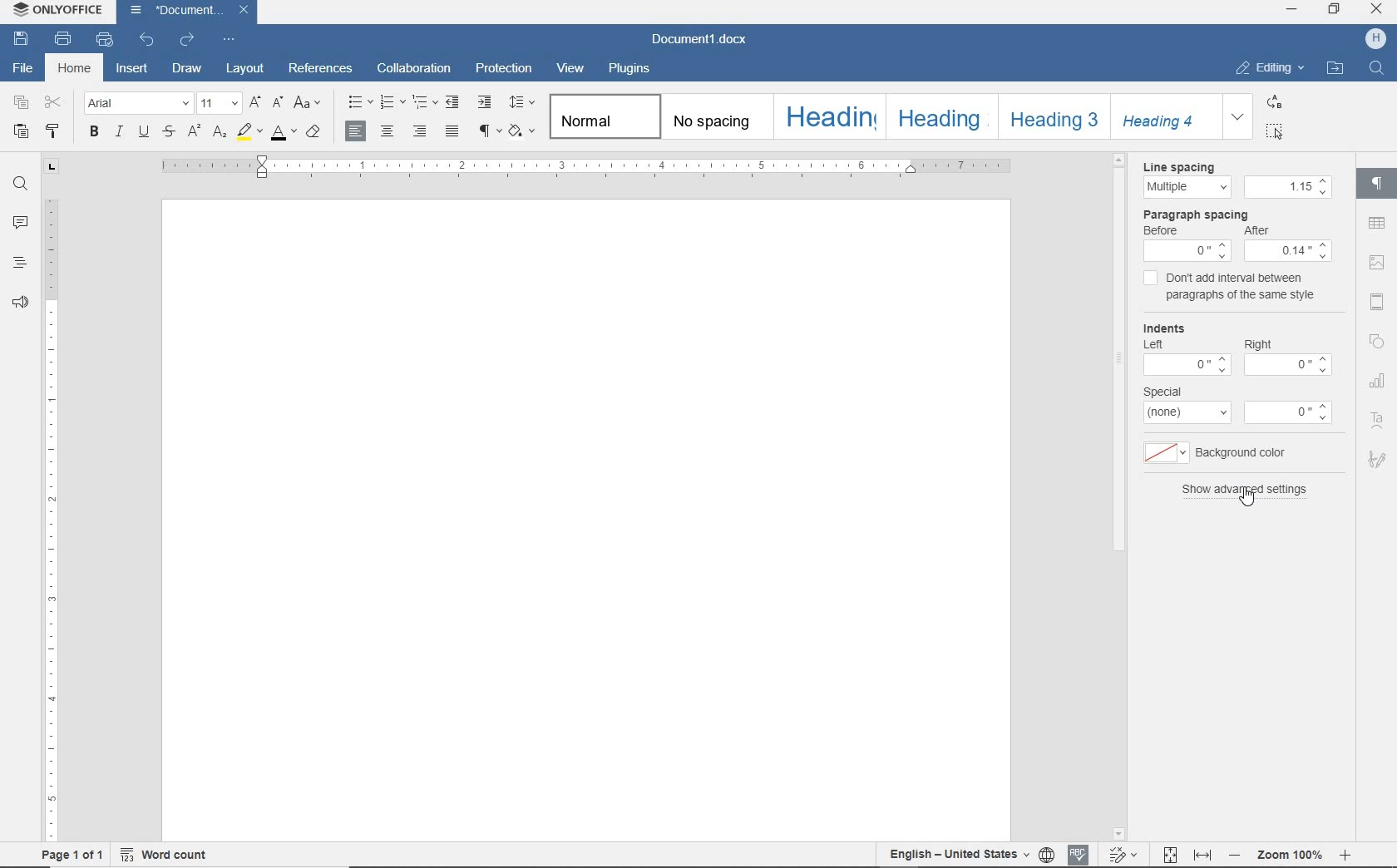 Image resolution: width=1397 pixels, height=868 pixels. I want to click on ONLYOFFICE (application name), so click(62, 12).